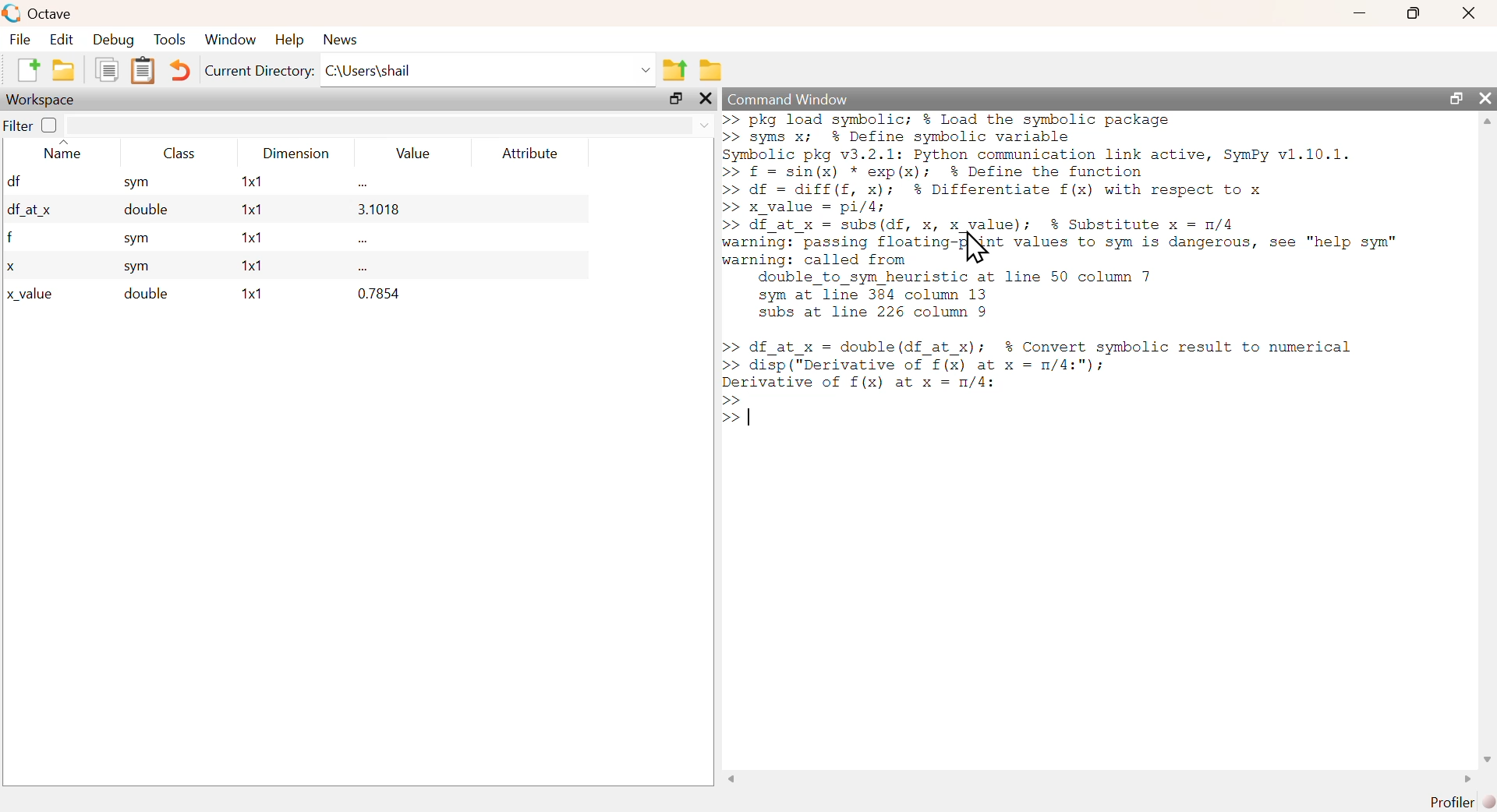 Image resolution: width=1497 pixels, height=812 pixels. Describe the element at coordinates (138, 268) in the screenshot. I see `sym` at that location.